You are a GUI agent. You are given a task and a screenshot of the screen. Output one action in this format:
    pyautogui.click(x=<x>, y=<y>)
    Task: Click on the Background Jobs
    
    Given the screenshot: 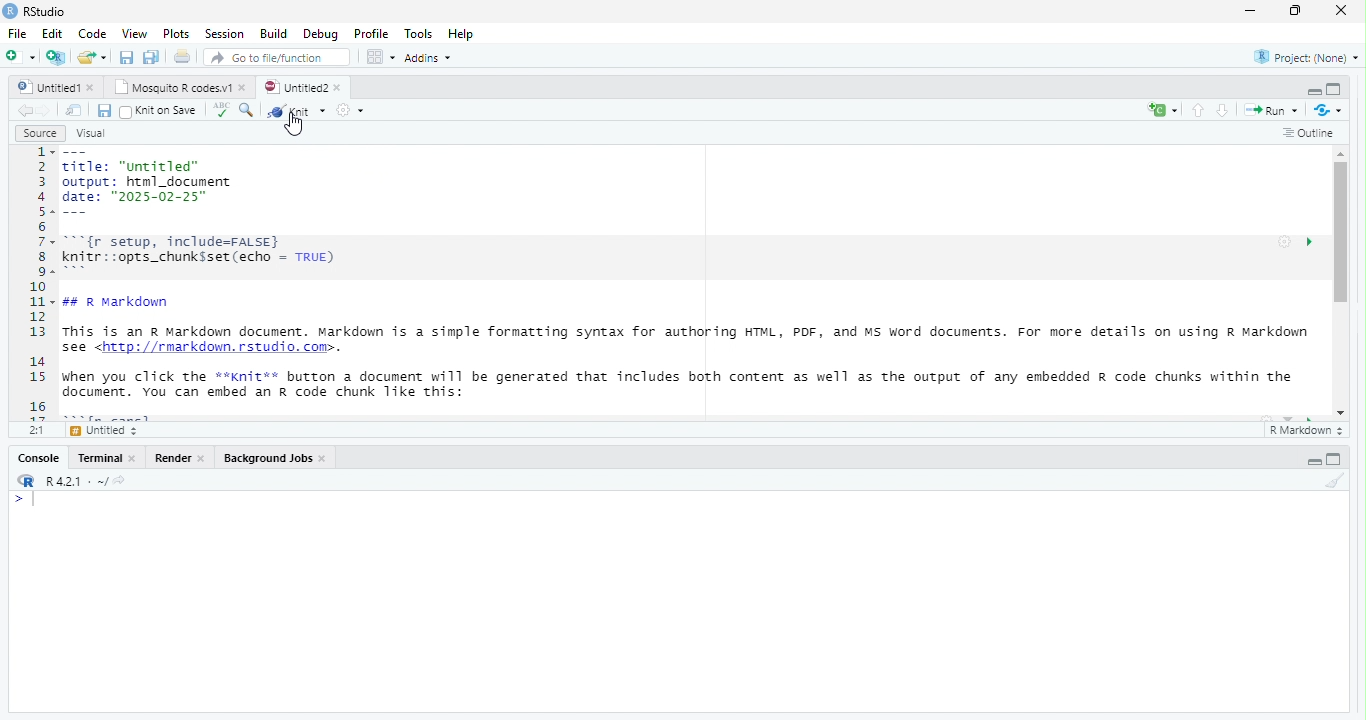 What is the action you would take?
    pyautogui.click(x=269, y=458)
    